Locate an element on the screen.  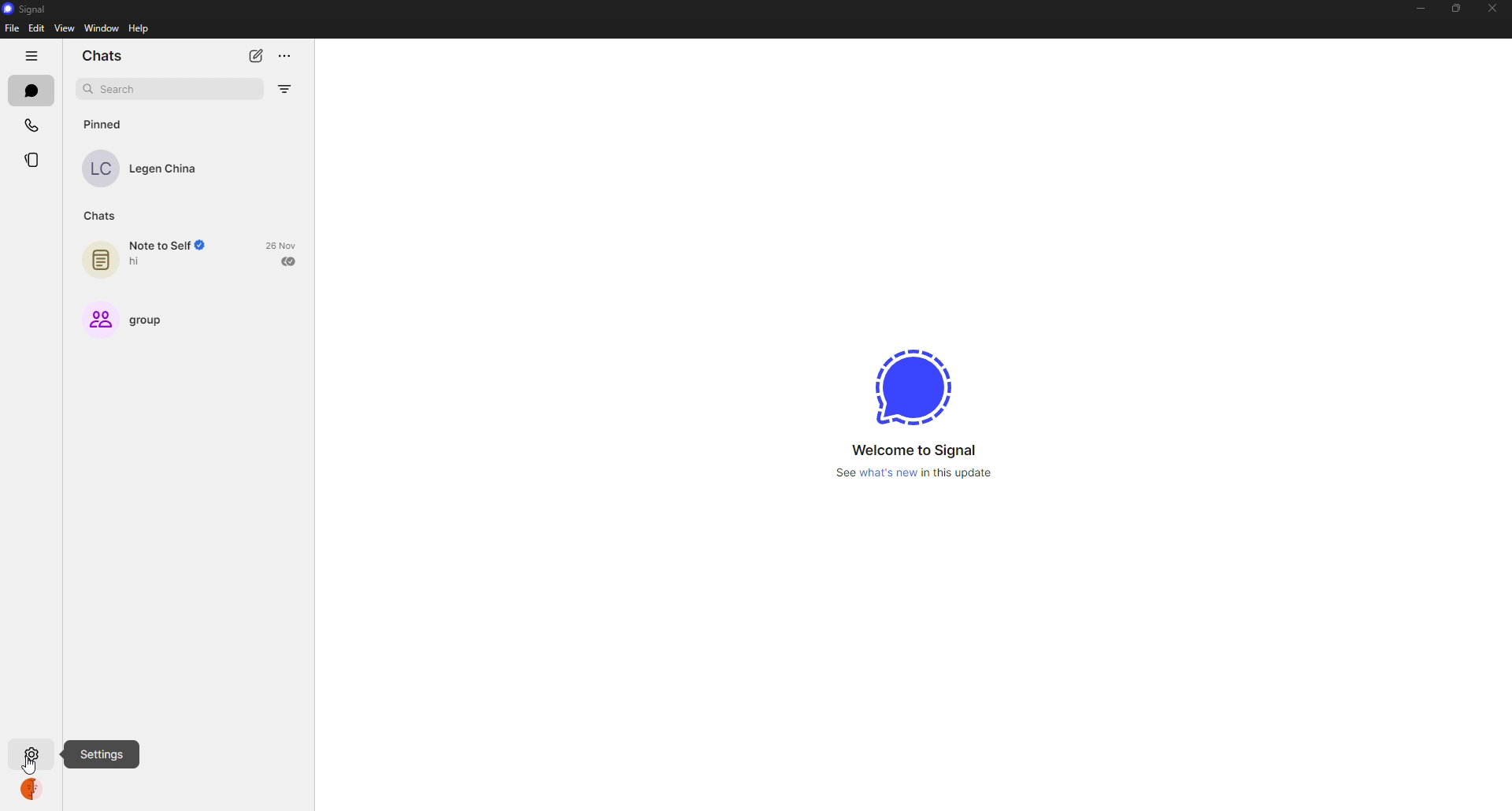
settings is located at coordinates (102, 753).